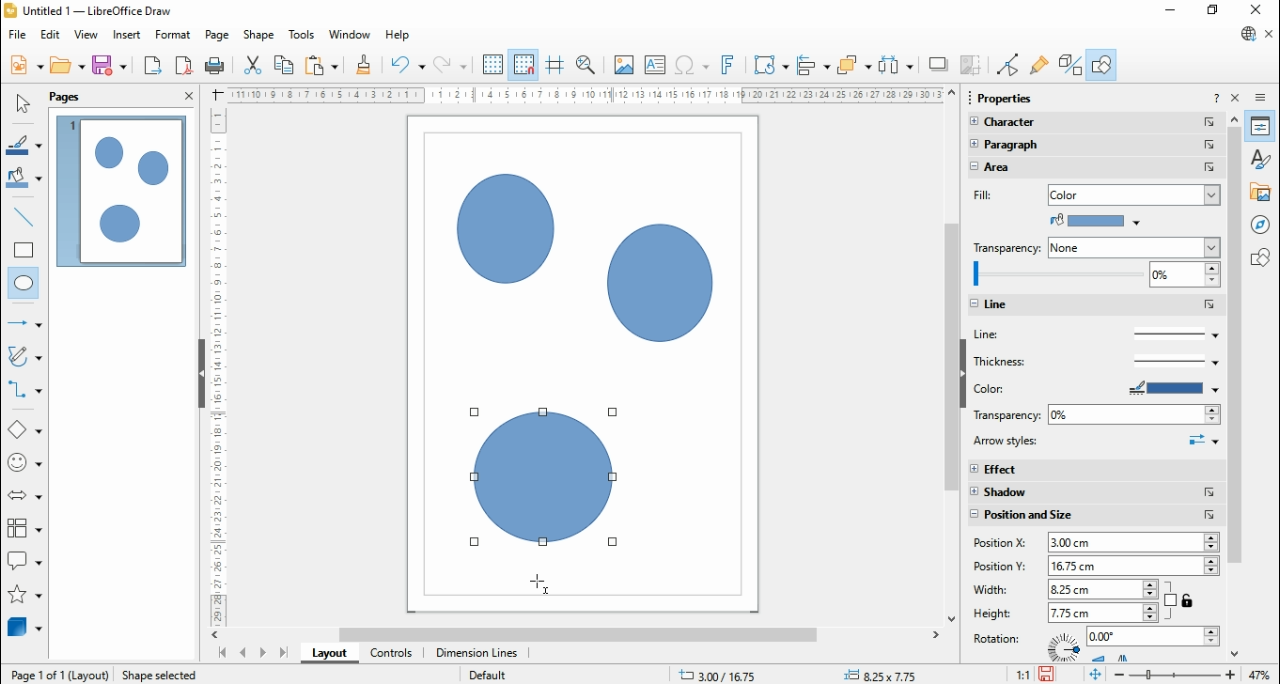 The height and width of the screenshot is (684, 1280). I want to click on 5.75cm, so click(1103, 588).